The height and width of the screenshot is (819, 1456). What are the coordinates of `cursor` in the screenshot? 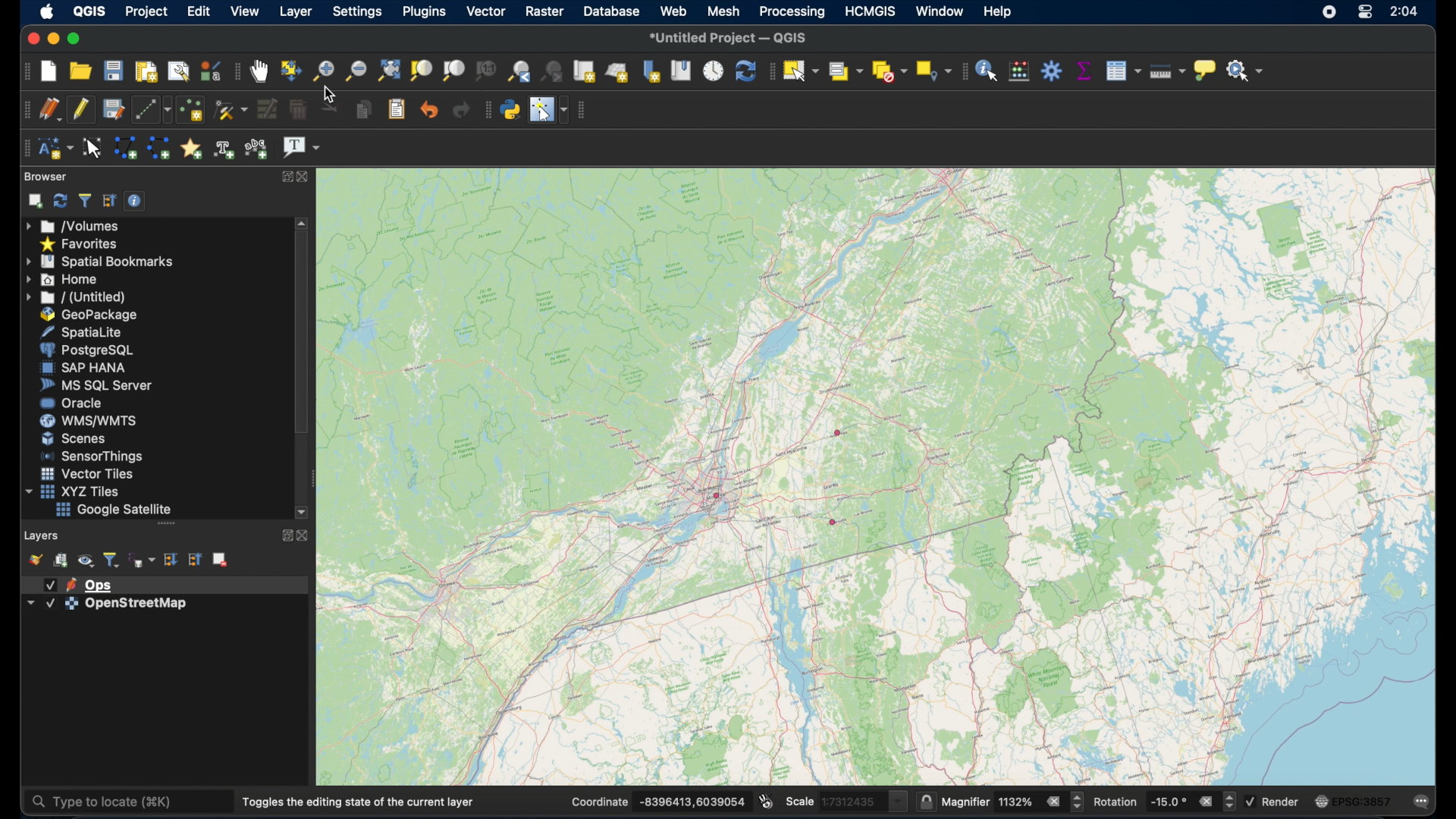 It's located at (331, 91).